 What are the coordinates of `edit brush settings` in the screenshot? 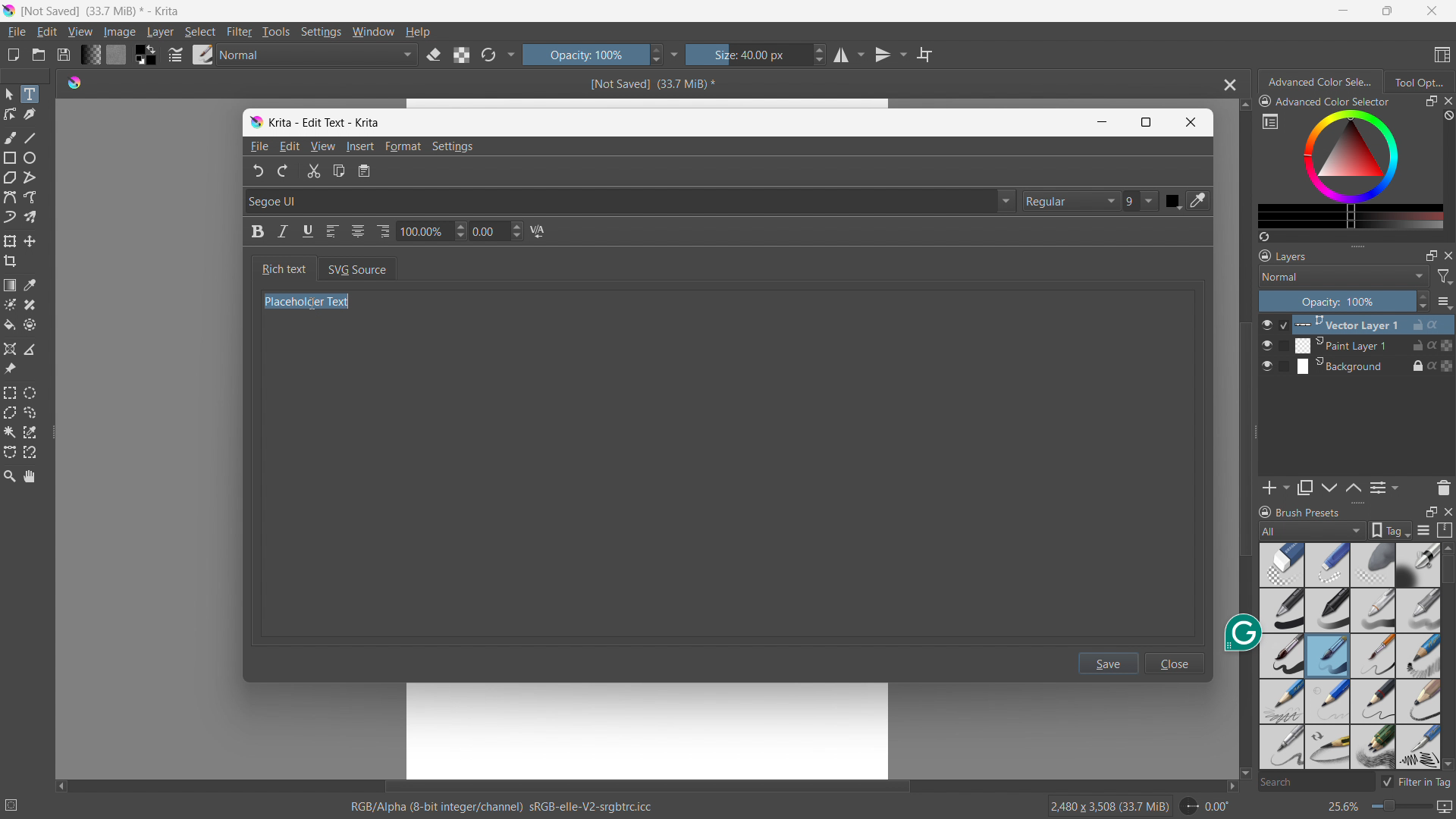 It's located at (175, 55).